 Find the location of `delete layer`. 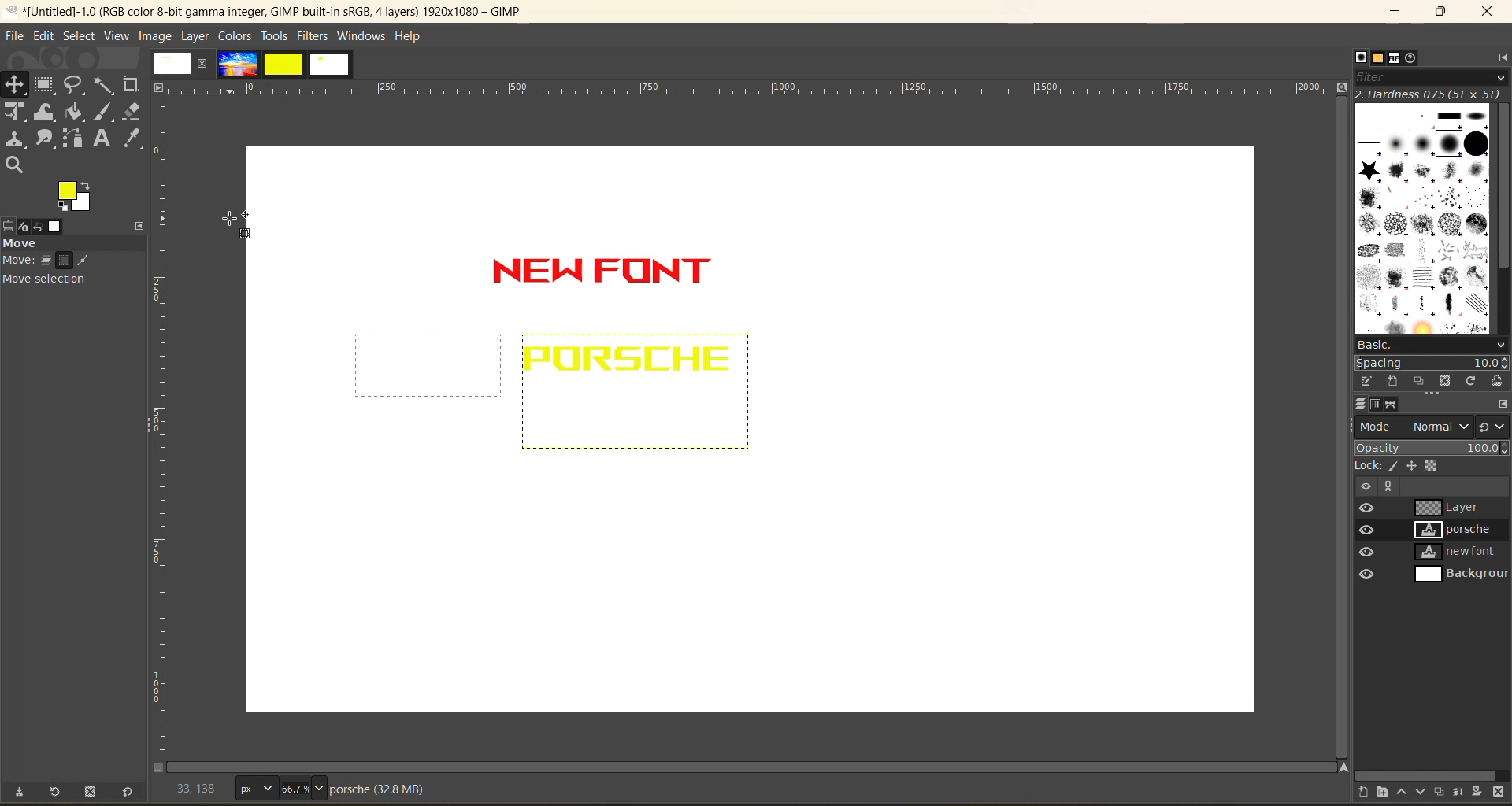

delete layer is located at coordinates (1503, 793).